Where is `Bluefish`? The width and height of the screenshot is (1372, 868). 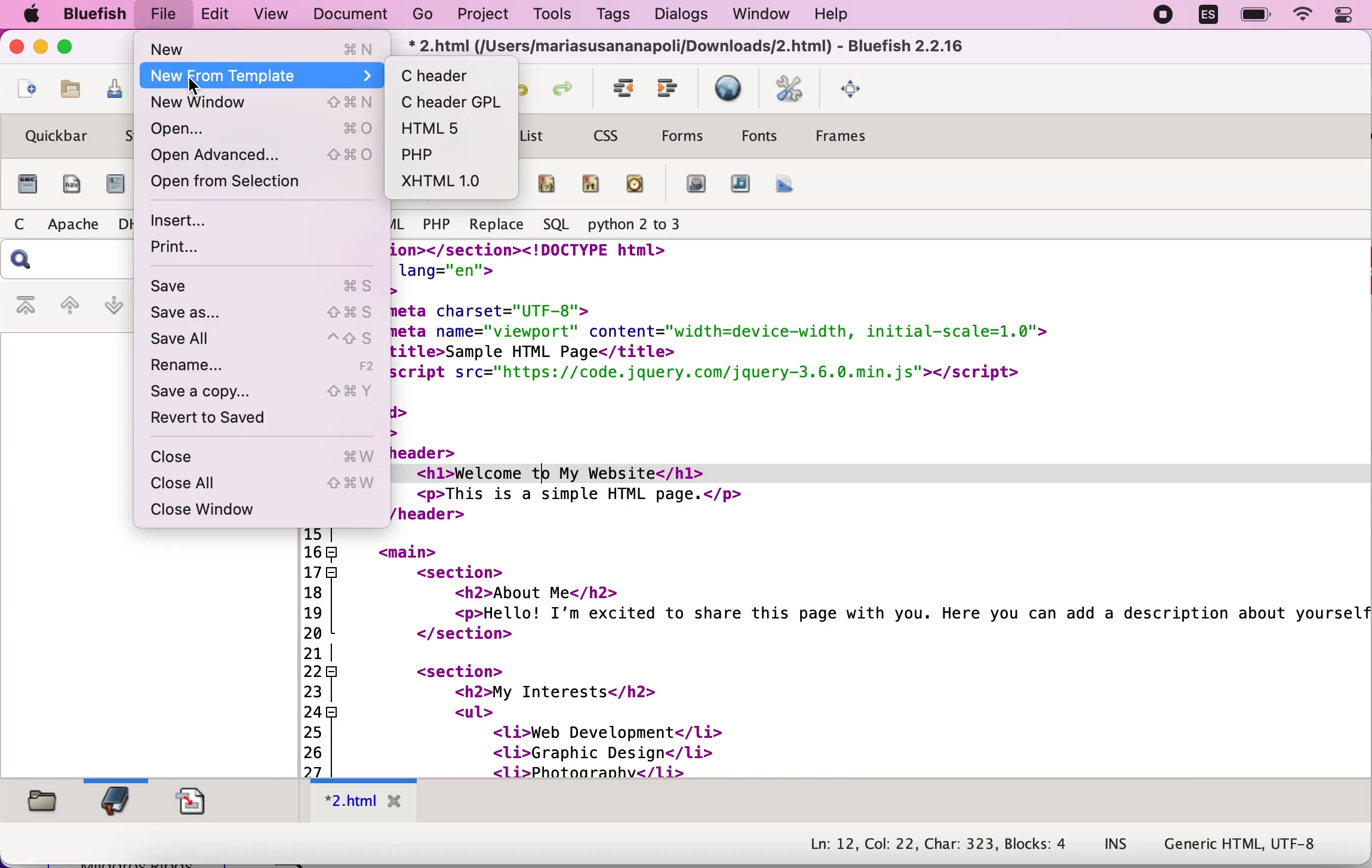 Bluefish is located at coordinates (94, 14).